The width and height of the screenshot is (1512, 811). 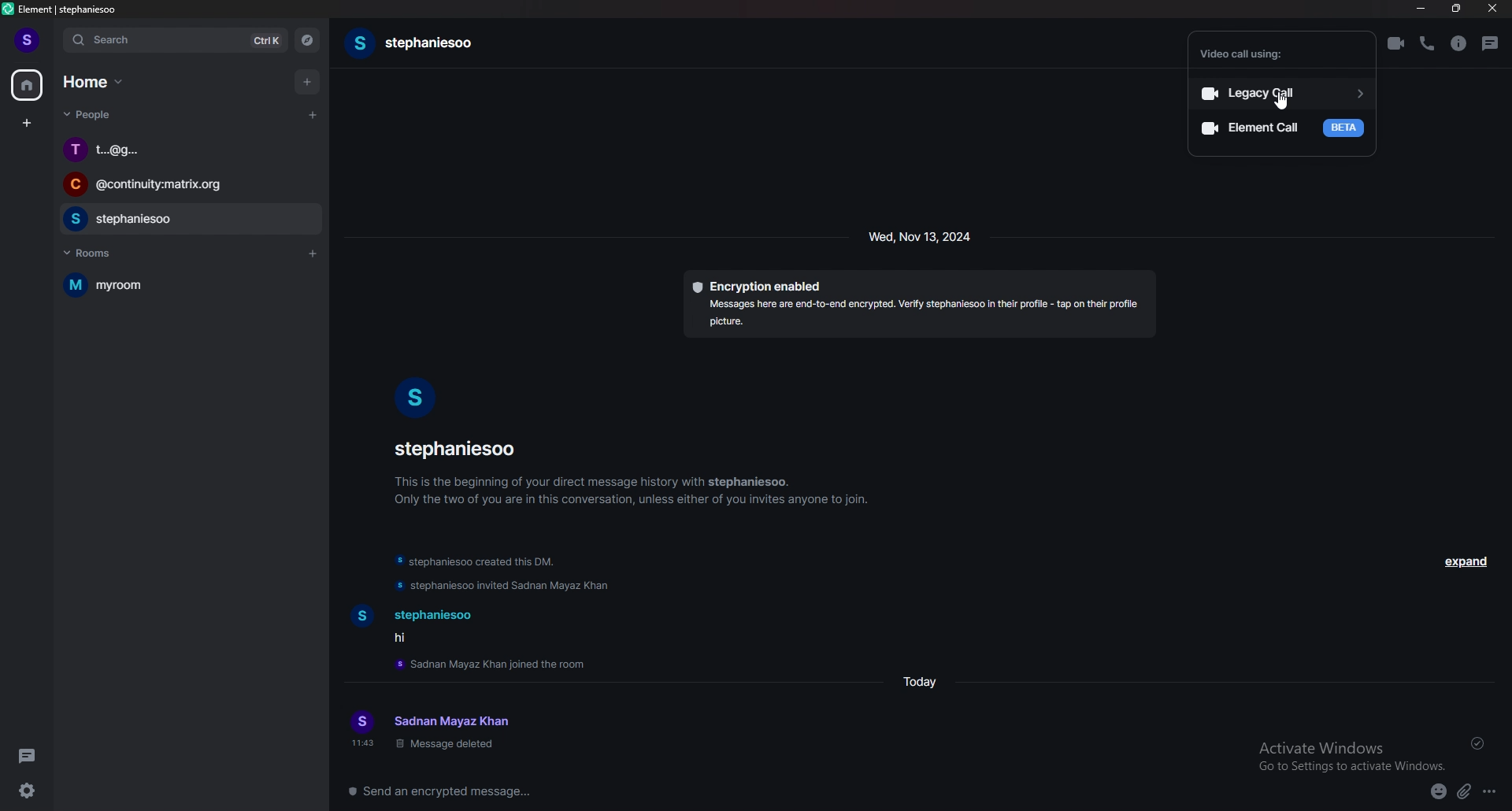 I want to click on home, so click(x=95, y=82).